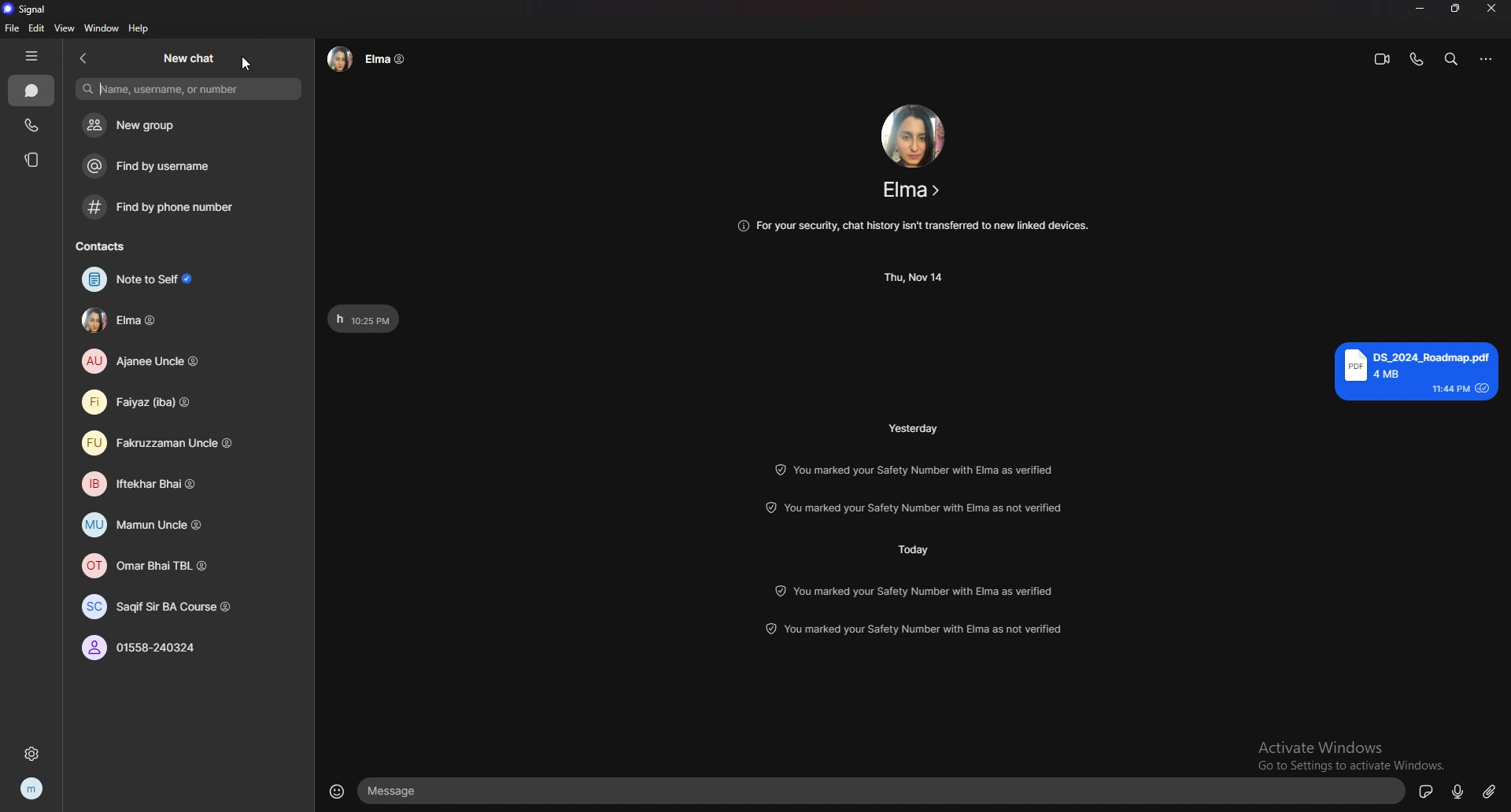 The height and width of the screenshot is (812, 1511). Describe the element at coordinates (170, 125) in the screenshot. I see `new group` at that location.